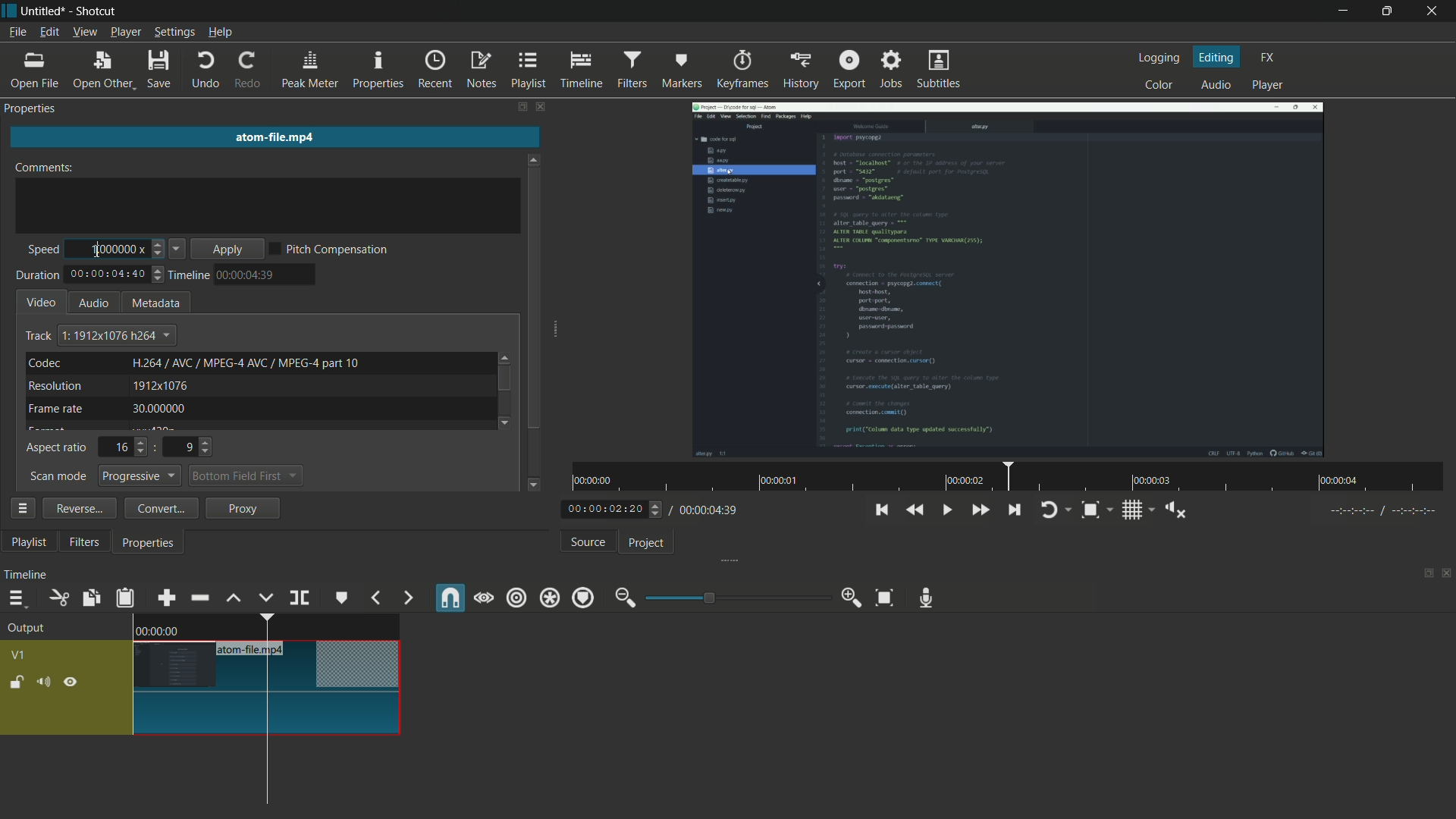  Describe the element at coordinates (199, 598) in the screenshot. I see `ripple delete` at that location.